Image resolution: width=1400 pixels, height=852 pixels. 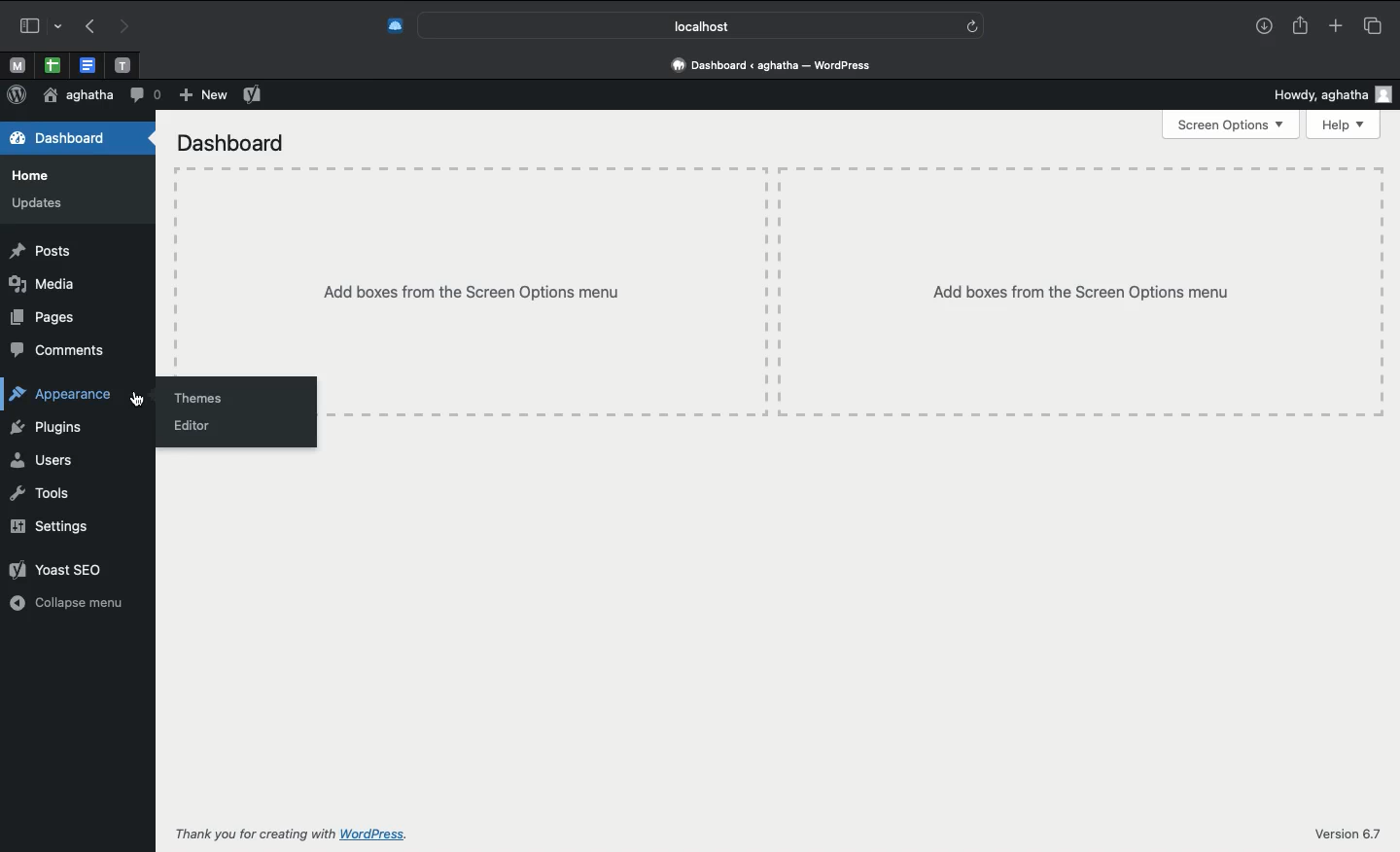 What do you see at coordinates (1335, 94) in the screenshot?
I see `Howdy user` at bounding box center [1335, 94].